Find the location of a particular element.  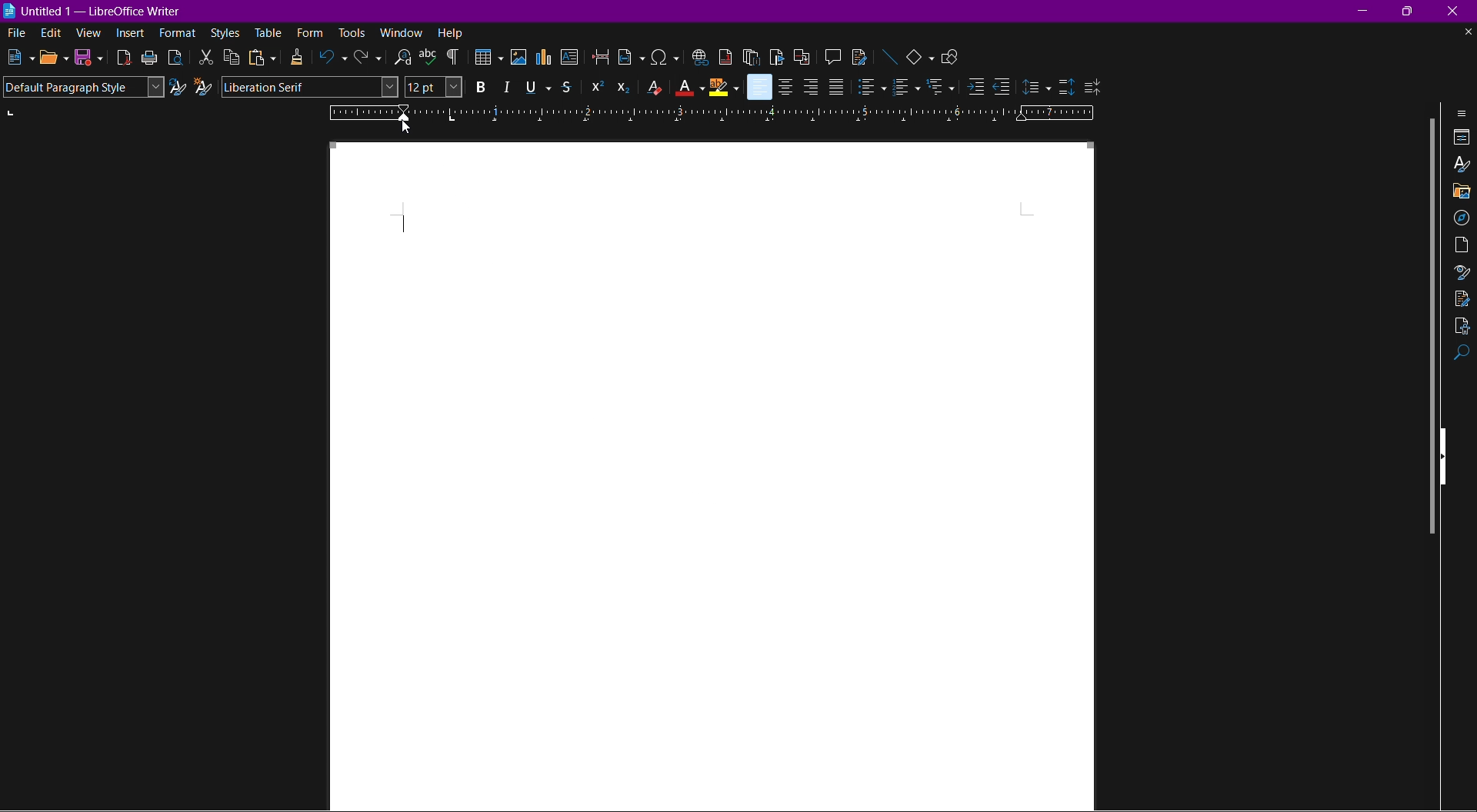

Show Track Changes Functions is located at coordinates (859, 56).